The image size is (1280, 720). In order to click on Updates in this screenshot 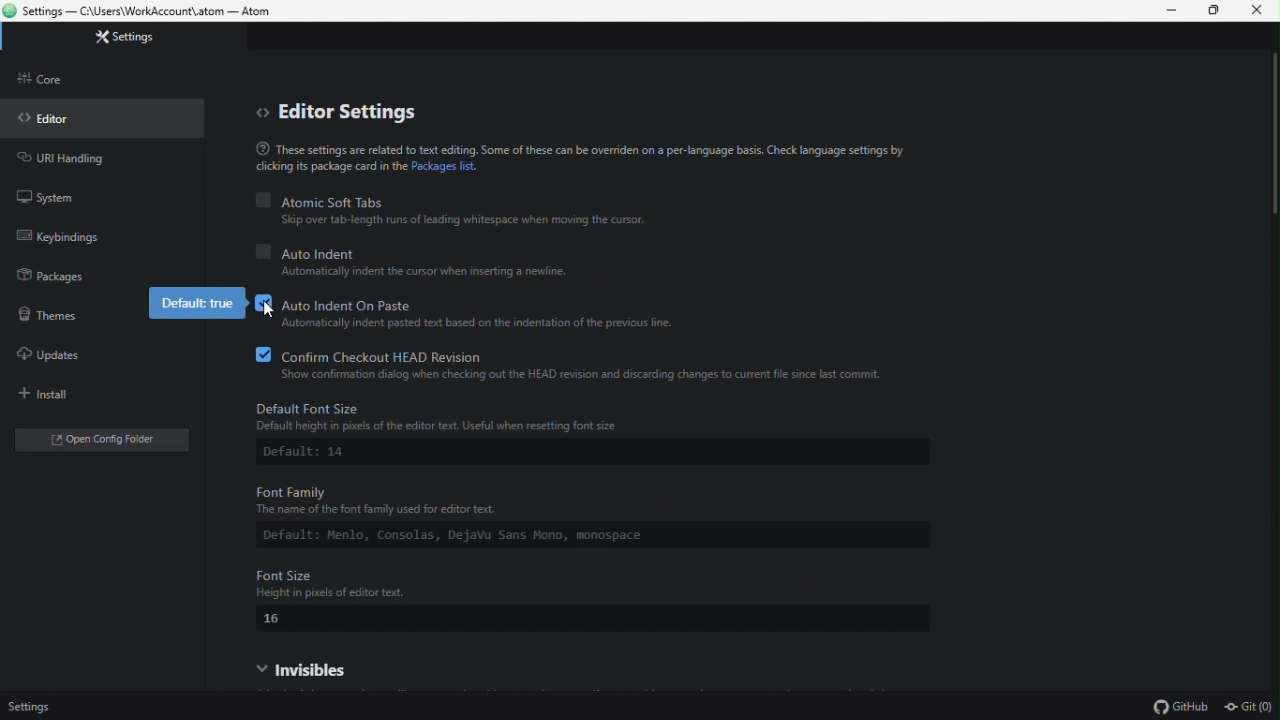, I will do `click(55, 354)`.